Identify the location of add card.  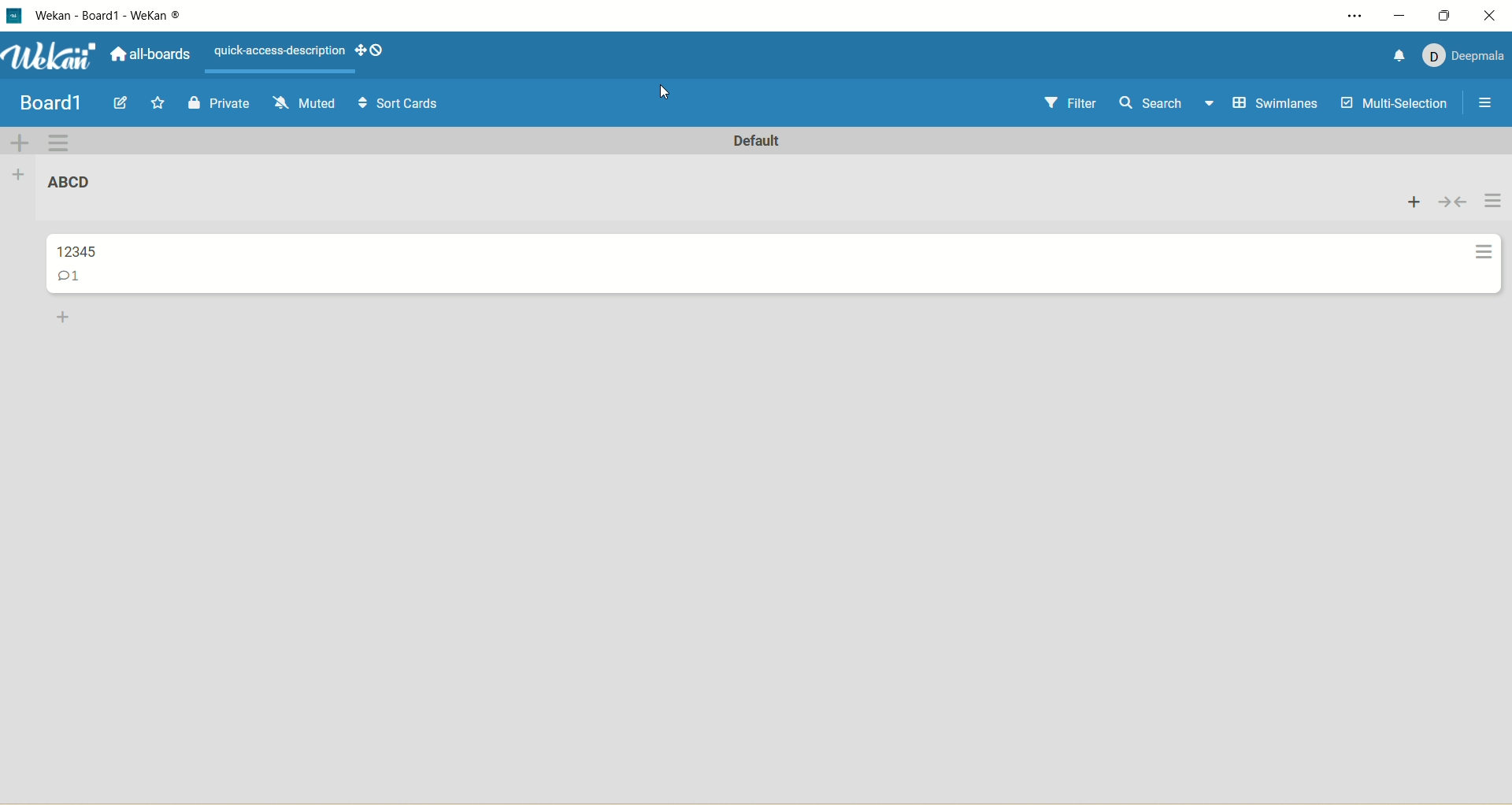
(64, 318).